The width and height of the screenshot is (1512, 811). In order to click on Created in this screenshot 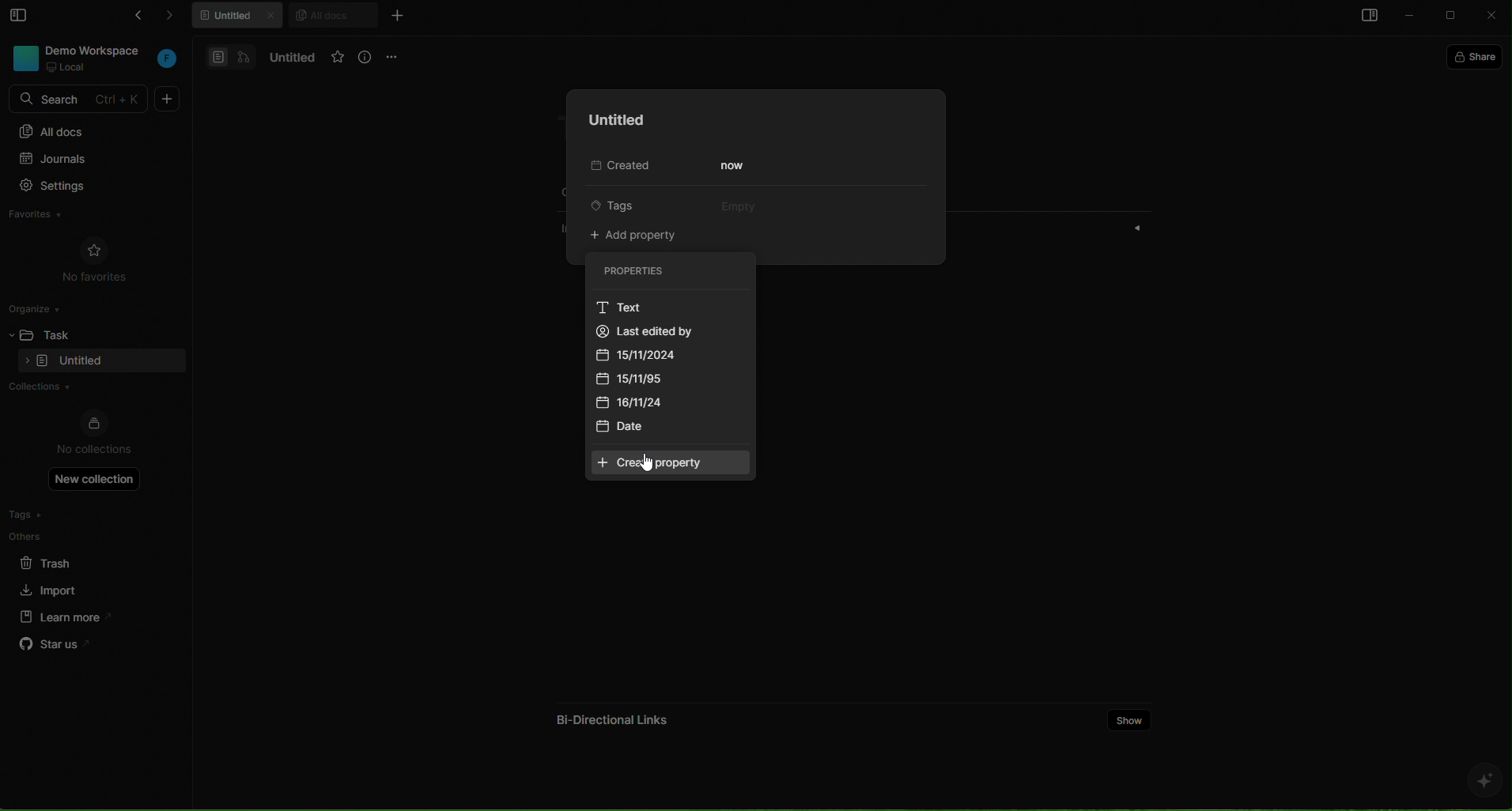, I will do `click(617, 167)`.